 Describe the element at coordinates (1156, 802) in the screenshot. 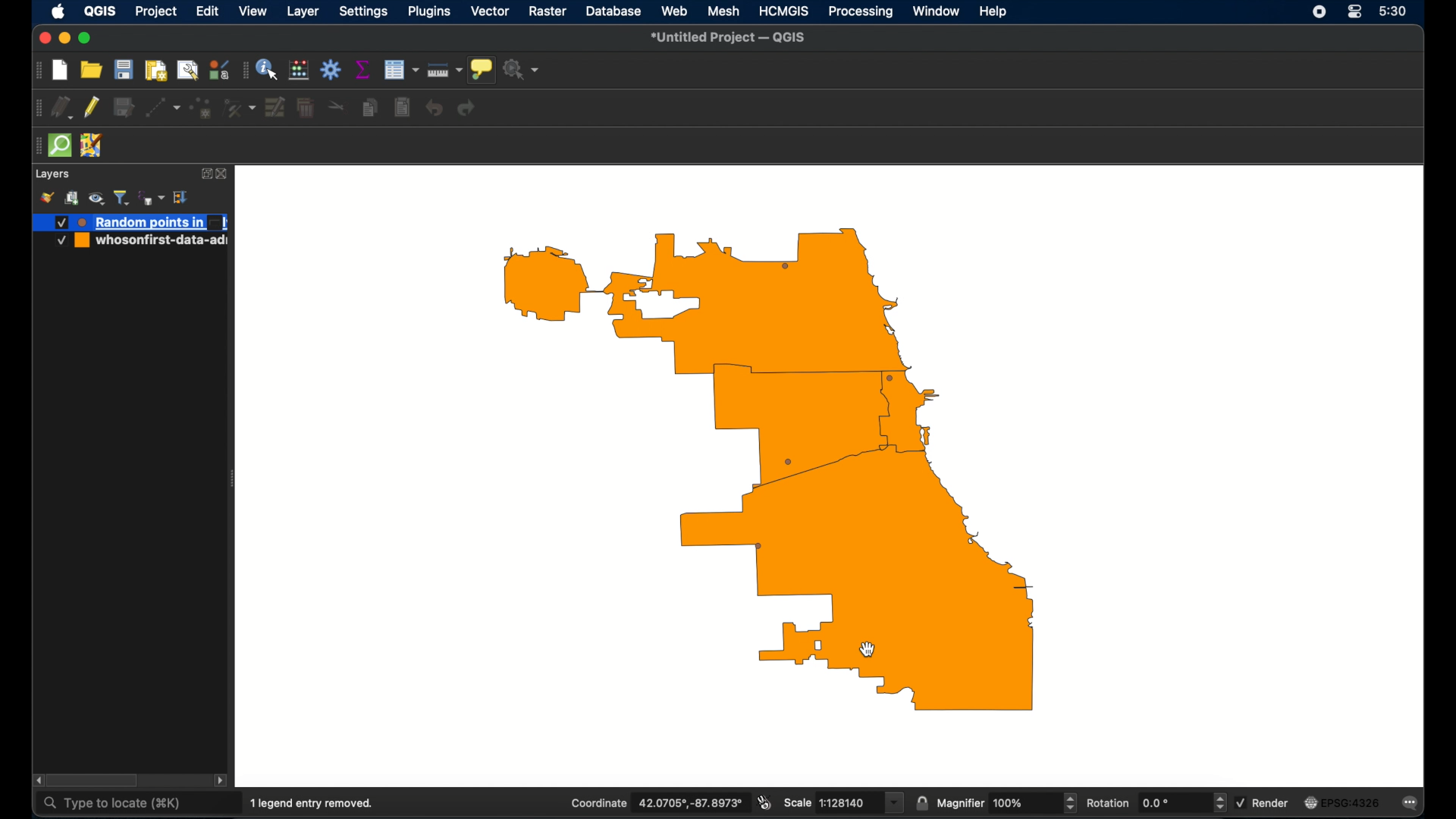

I see `rotation` at that location.